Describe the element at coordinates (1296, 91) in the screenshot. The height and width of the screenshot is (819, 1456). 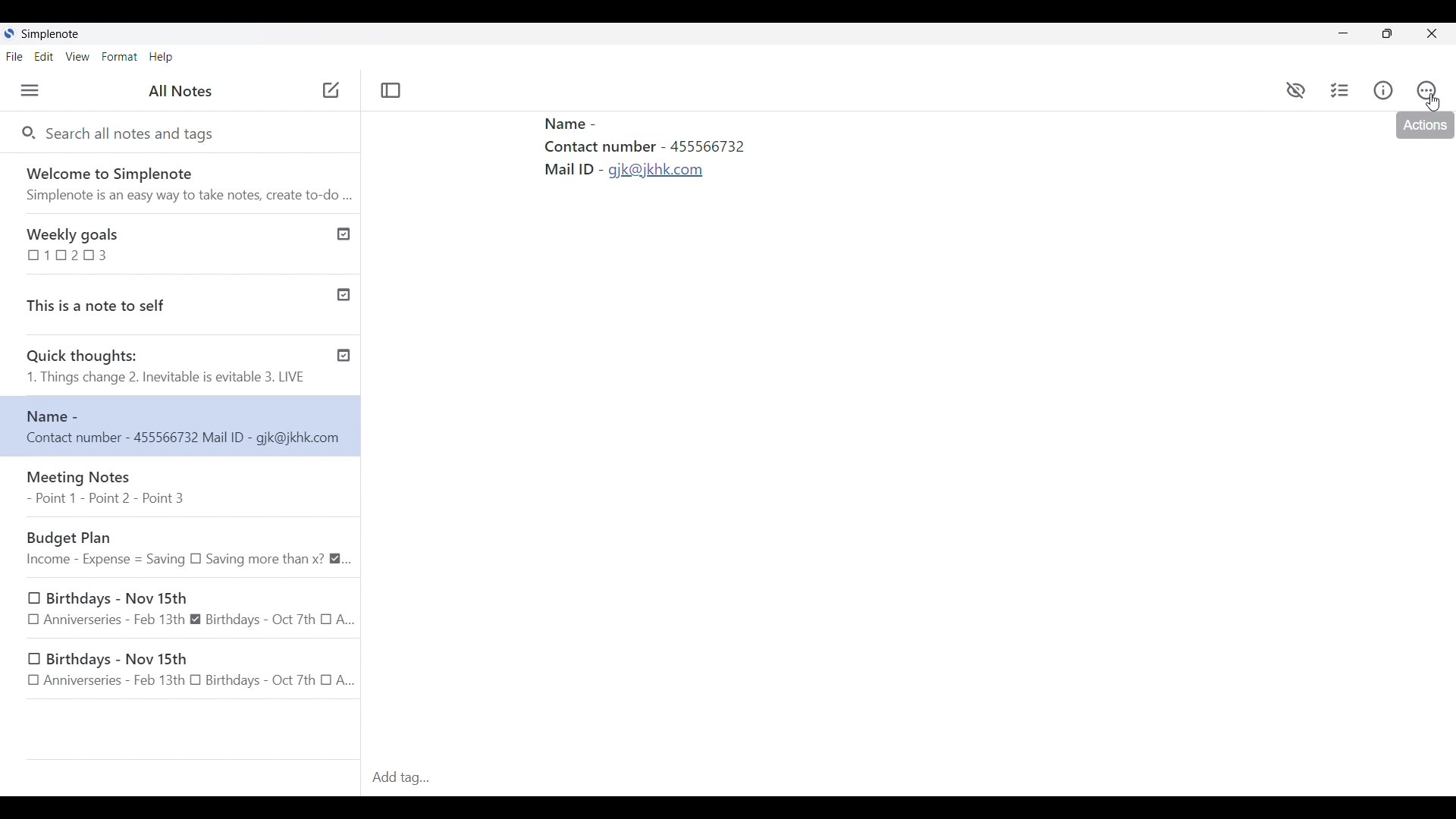
I see `preview` at that location.